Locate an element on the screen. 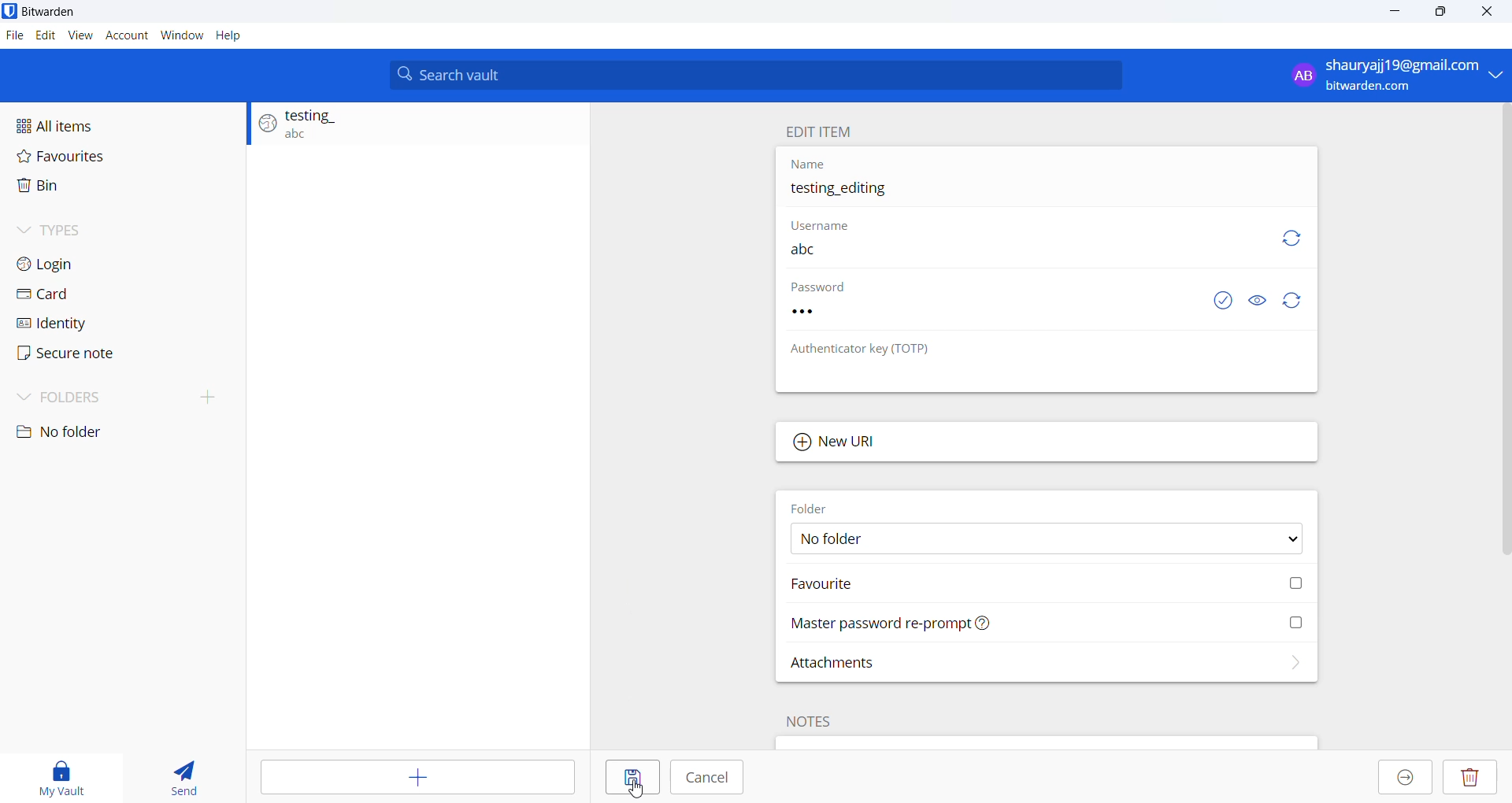 This screenshot has width=1512, height=803. Scroll bar is located at coordinates (1503, 336).